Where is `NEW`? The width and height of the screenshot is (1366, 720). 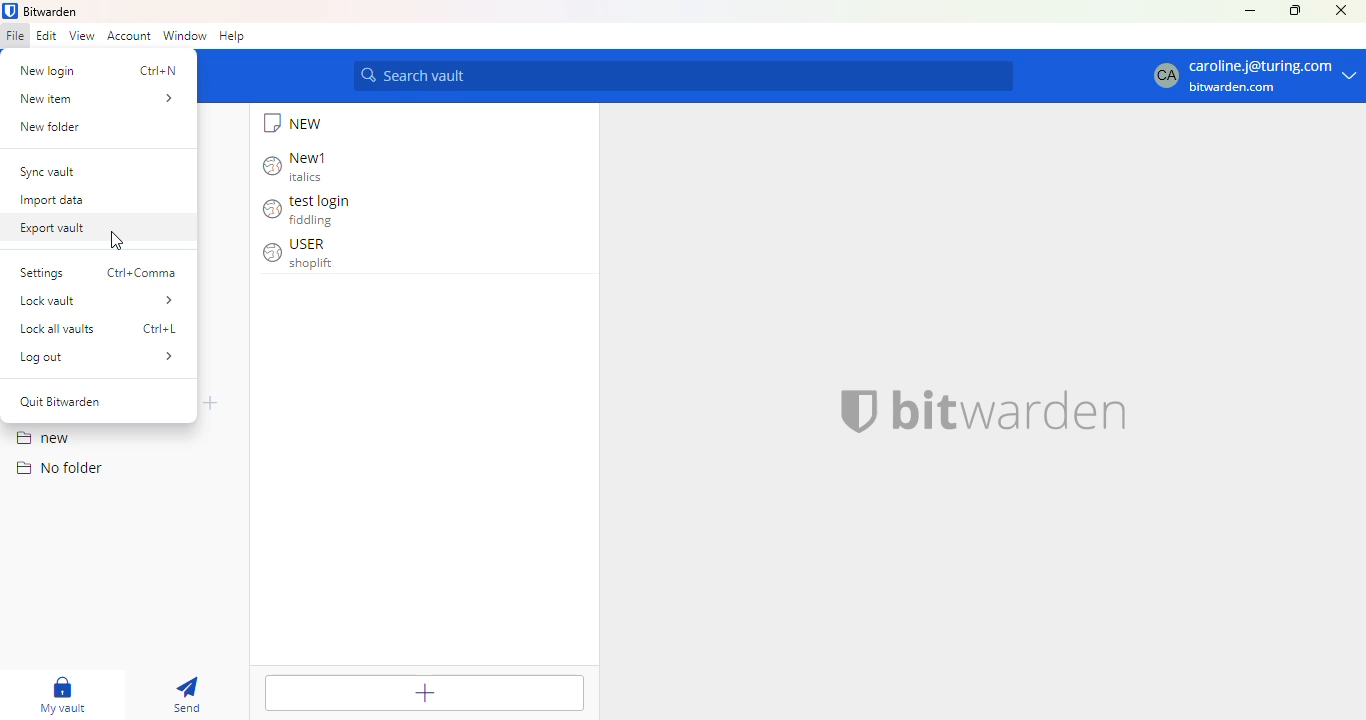 NEW is located at coordinates (295, 123).